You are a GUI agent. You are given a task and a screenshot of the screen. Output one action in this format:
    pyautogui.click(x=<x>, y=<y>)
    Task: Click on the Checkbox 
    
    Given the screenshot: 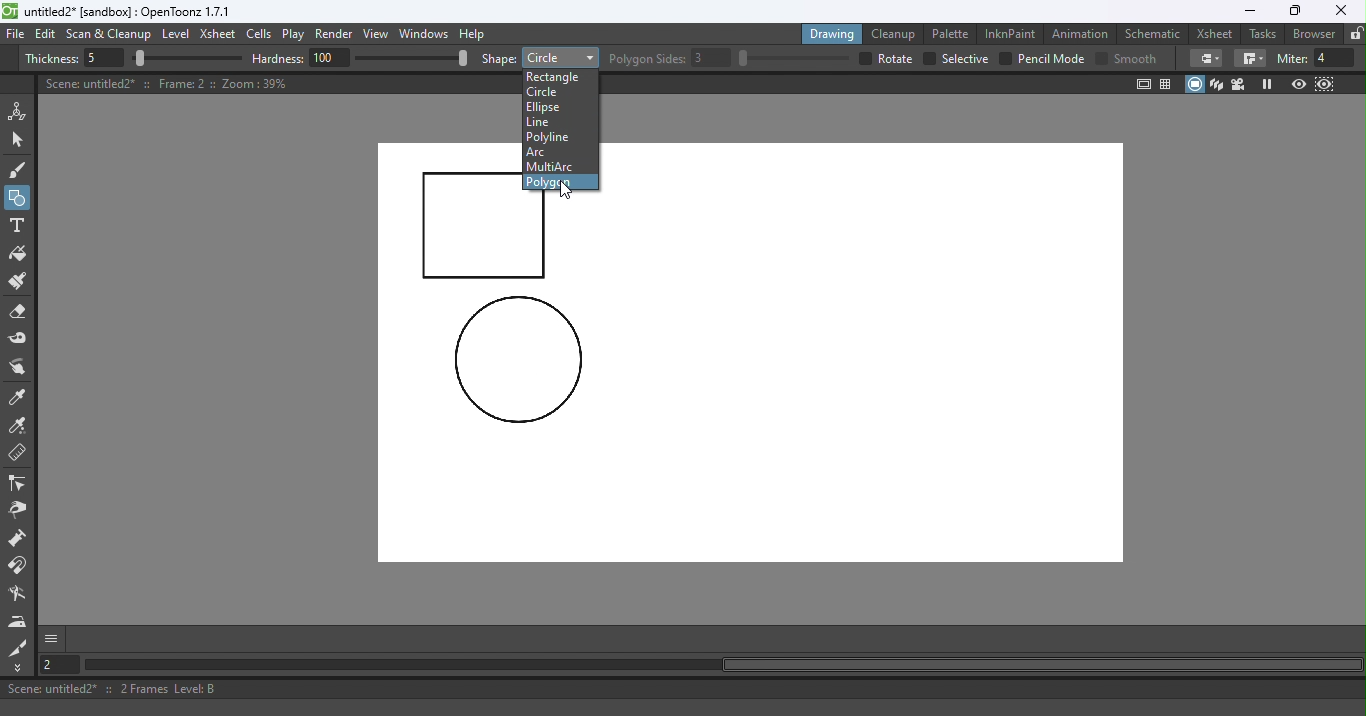 What is the action you would take?
    pyautogui.click(x=1101, y=57)
    